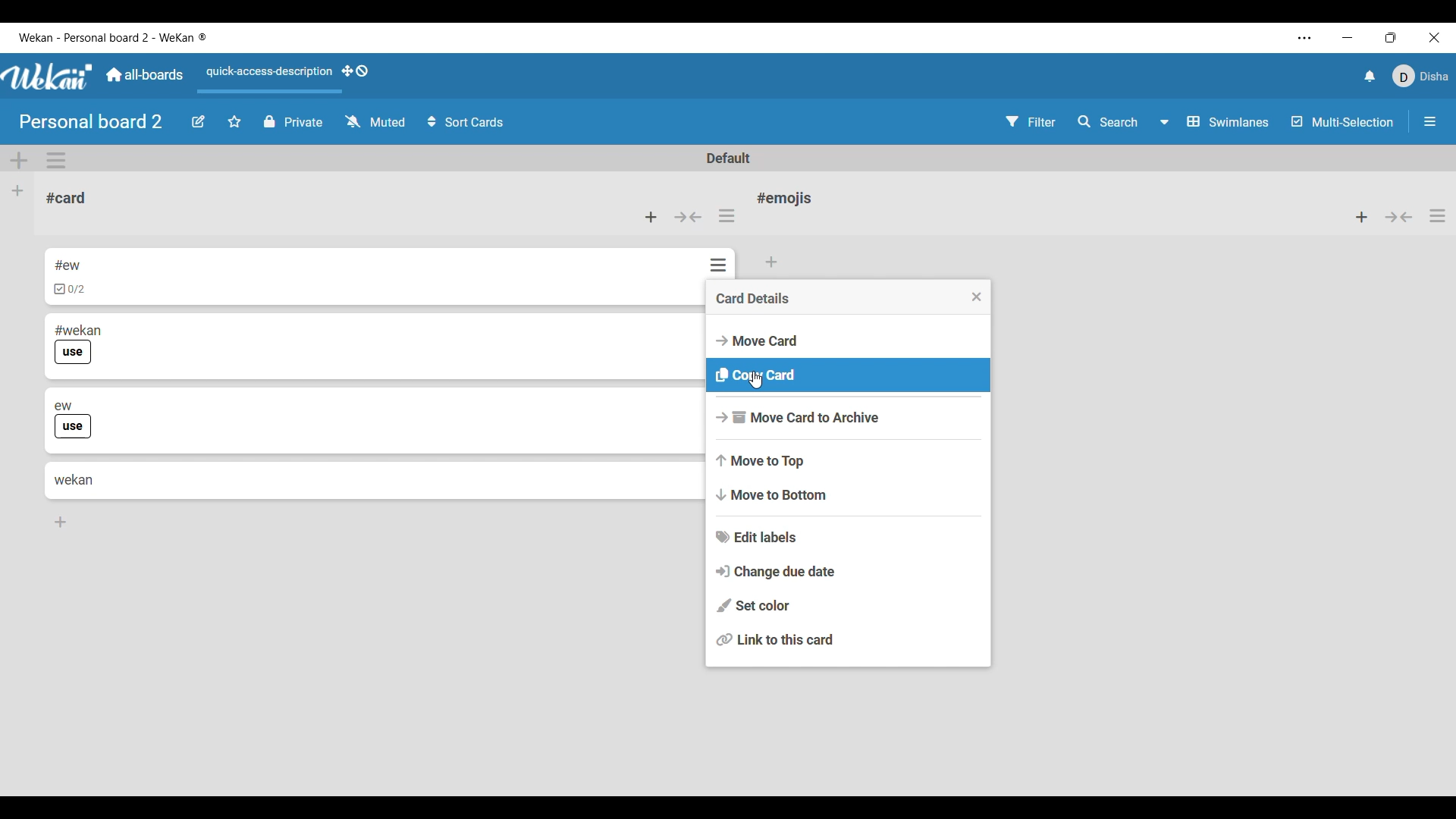 The width and height of the screenshot is (1456, 819). What do you see at coordinates (1421, 76) in the screenshot?
I see `Current account` at bounding box center [1421, 76].